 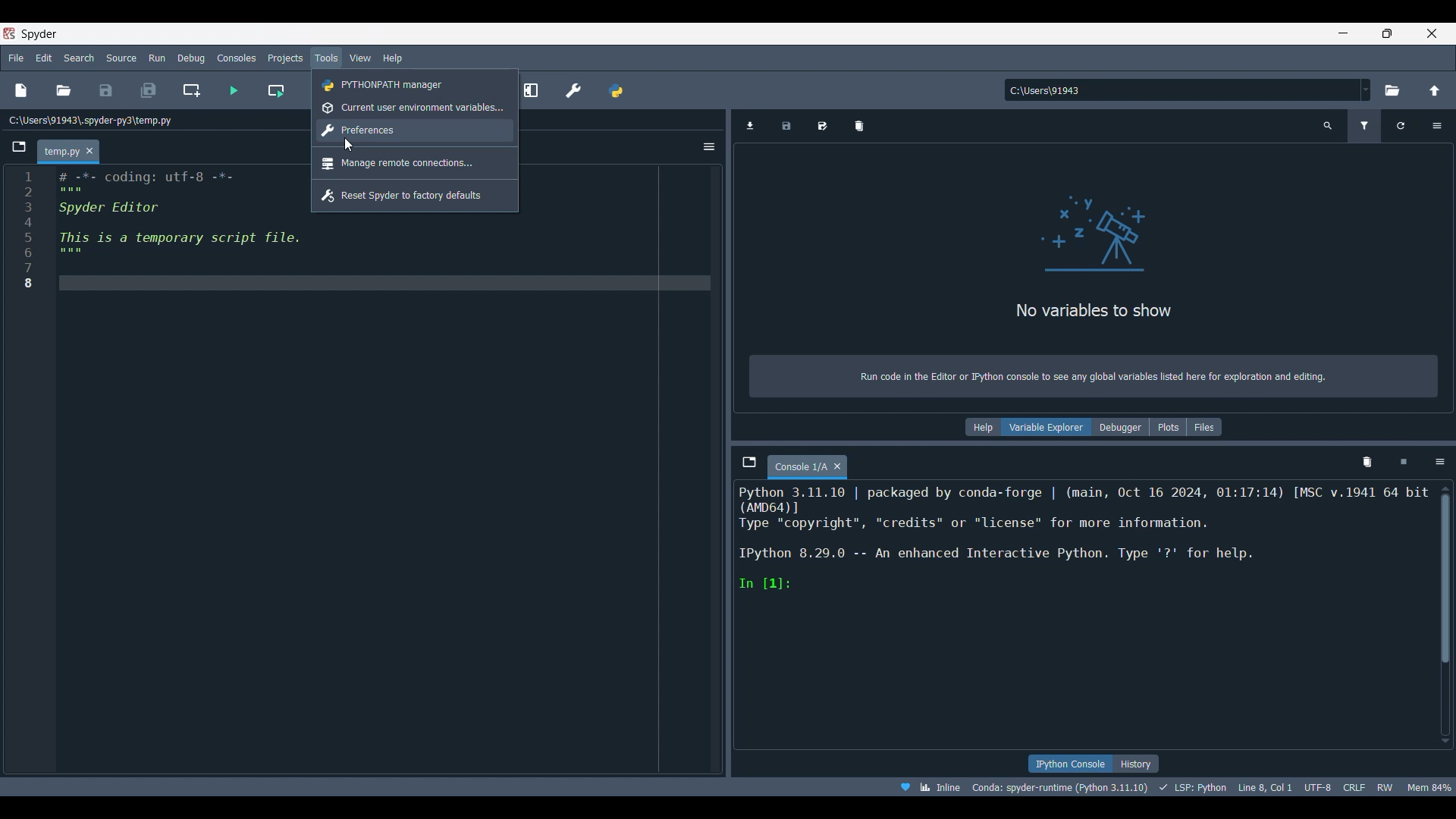 I want to click on Current tab highlighted, so click(x=797, y=467).